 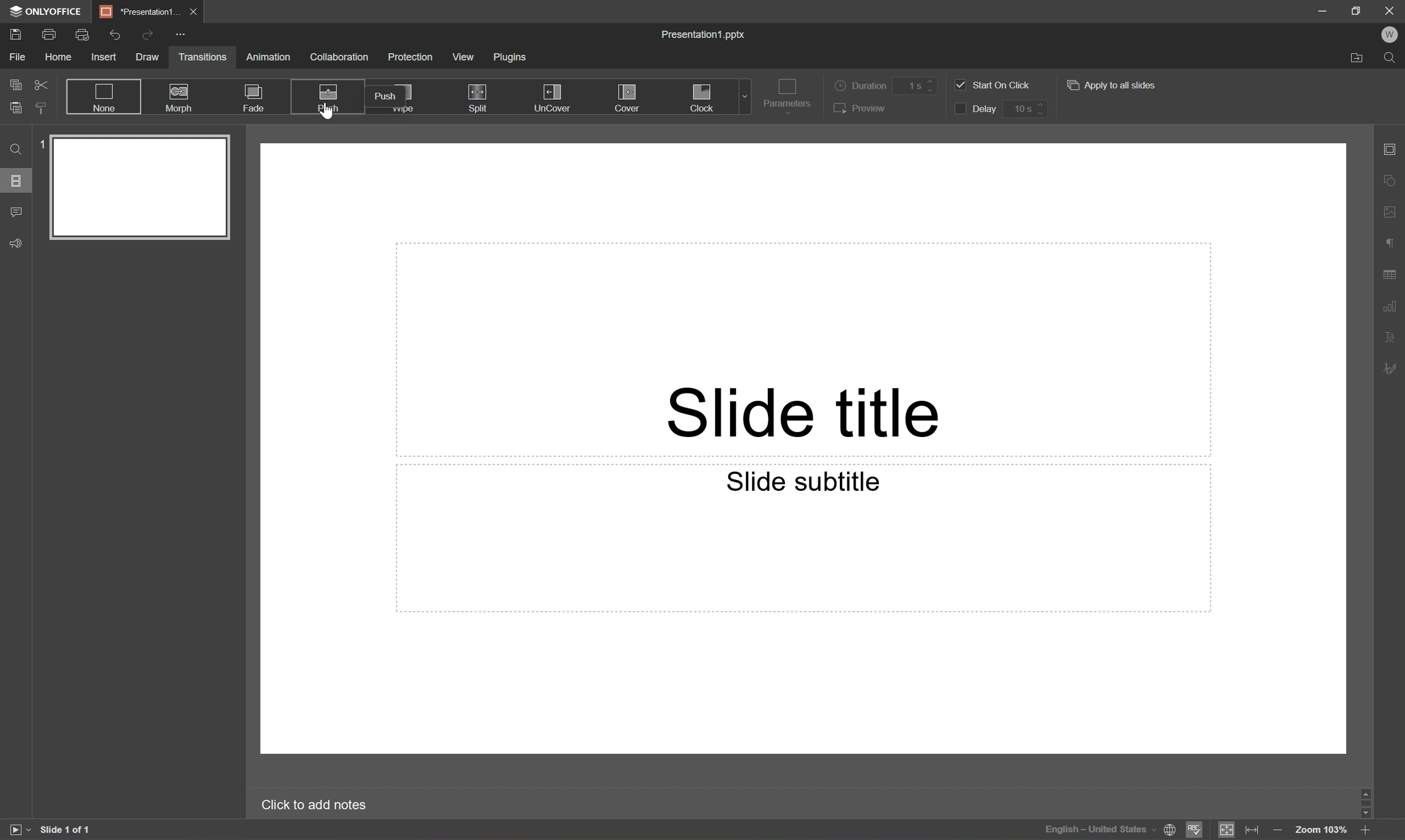 What do you see at coordinates (630, 97) in the screenshot?
I see `Cover` at bounding box center [630, 97].